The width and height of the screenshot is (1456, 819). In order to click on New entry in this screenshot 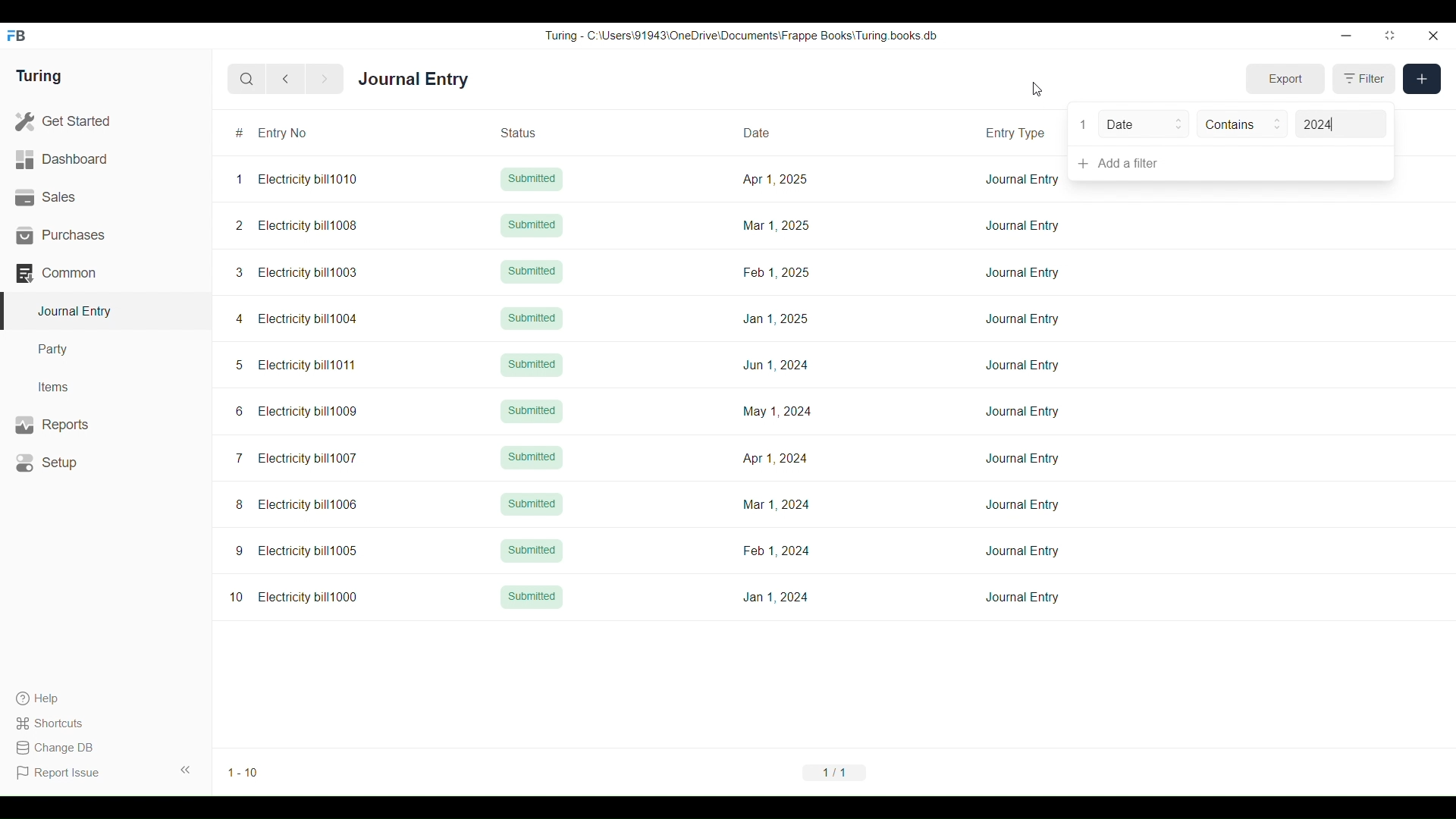, I will do `click(1422, 79)`.